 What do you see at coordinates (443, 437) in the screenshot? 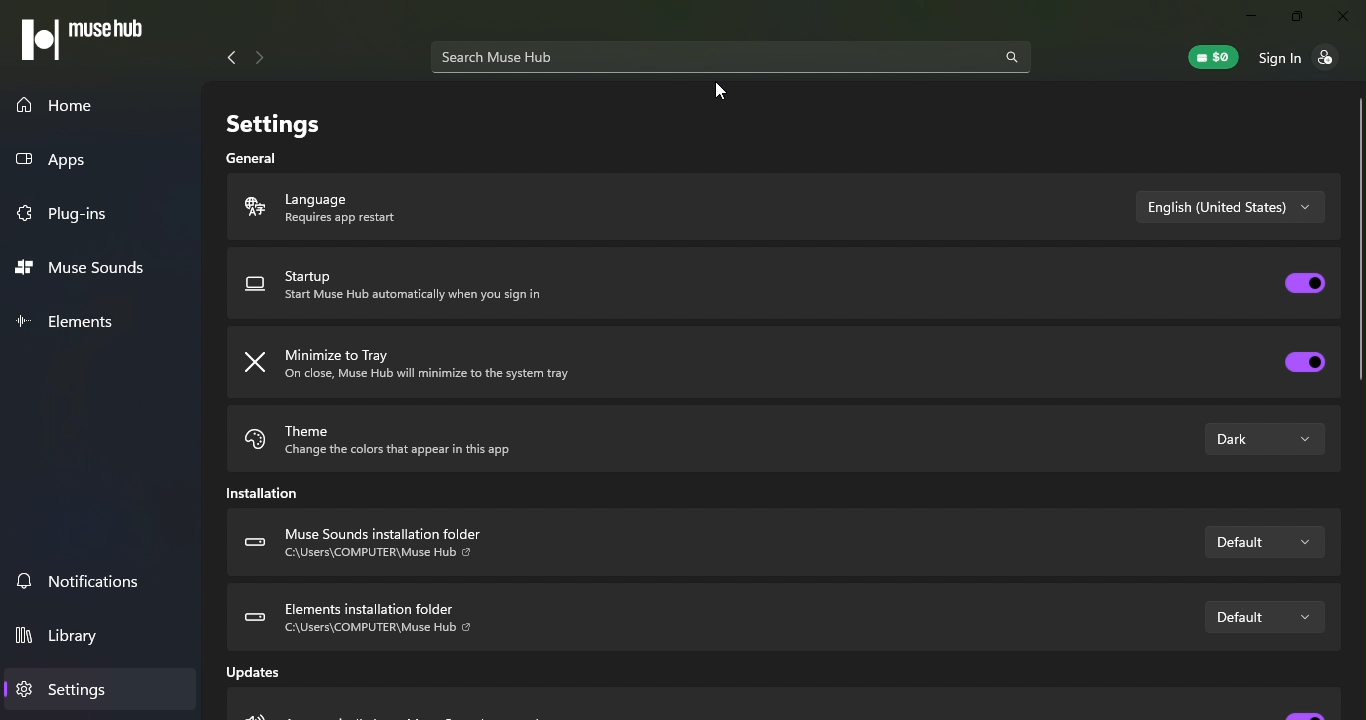
I see `Theme` at bounding box center [443, 437].